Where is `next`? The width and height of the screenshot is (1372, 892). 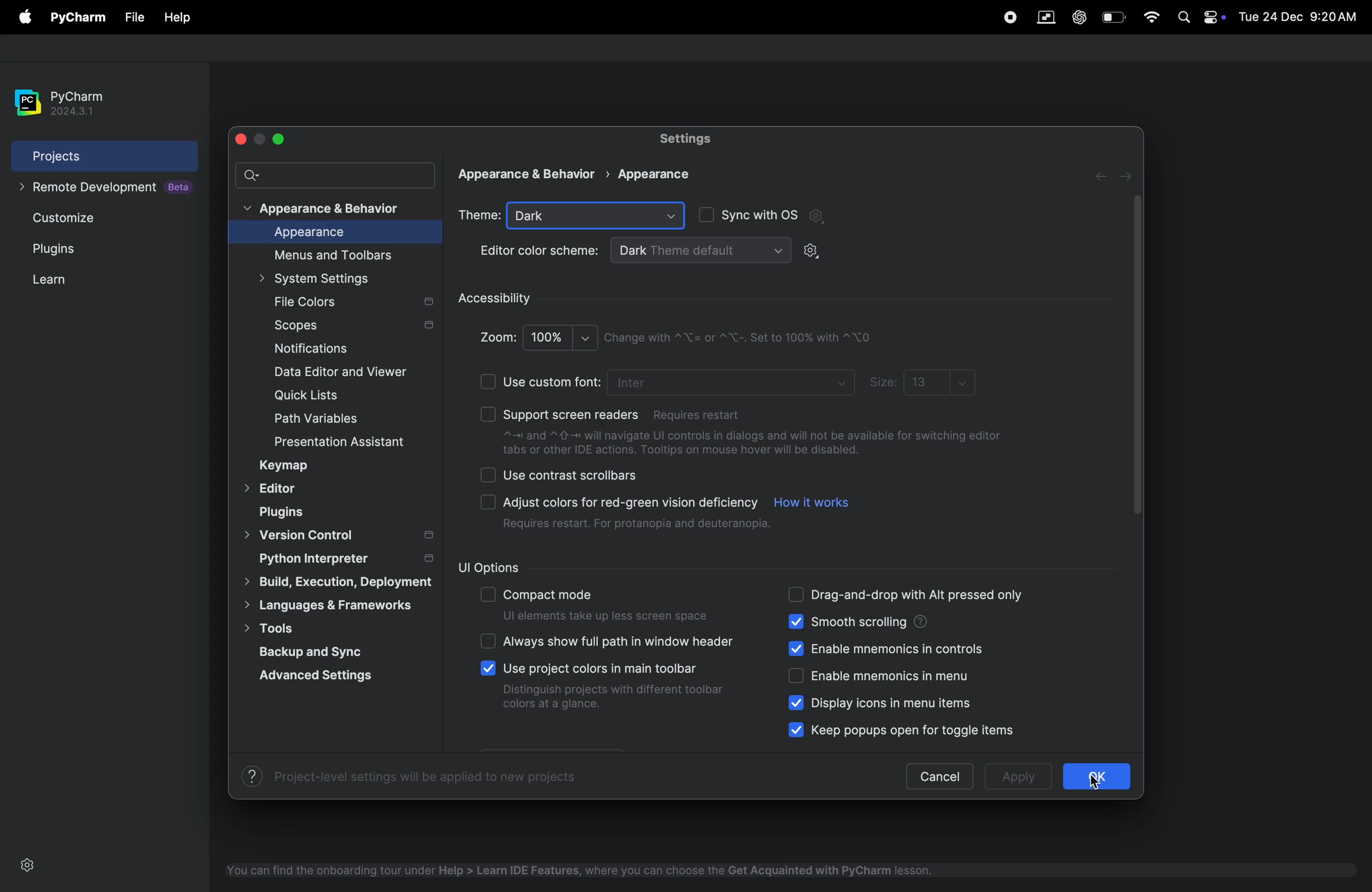
next is located at coordinates (1128, 176).